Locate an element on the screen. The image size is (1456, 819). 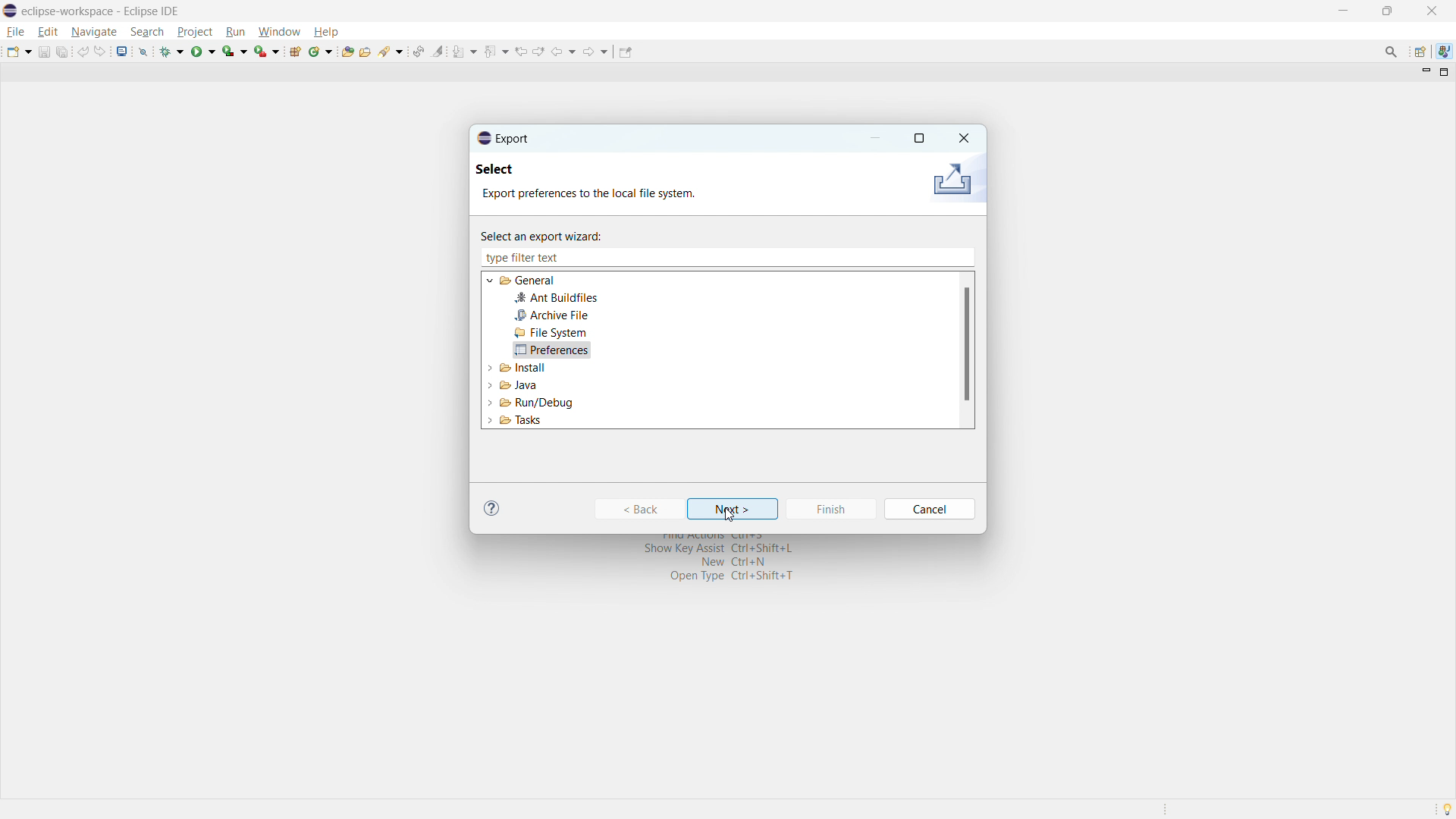
logo is located at coordinates (951, 180).